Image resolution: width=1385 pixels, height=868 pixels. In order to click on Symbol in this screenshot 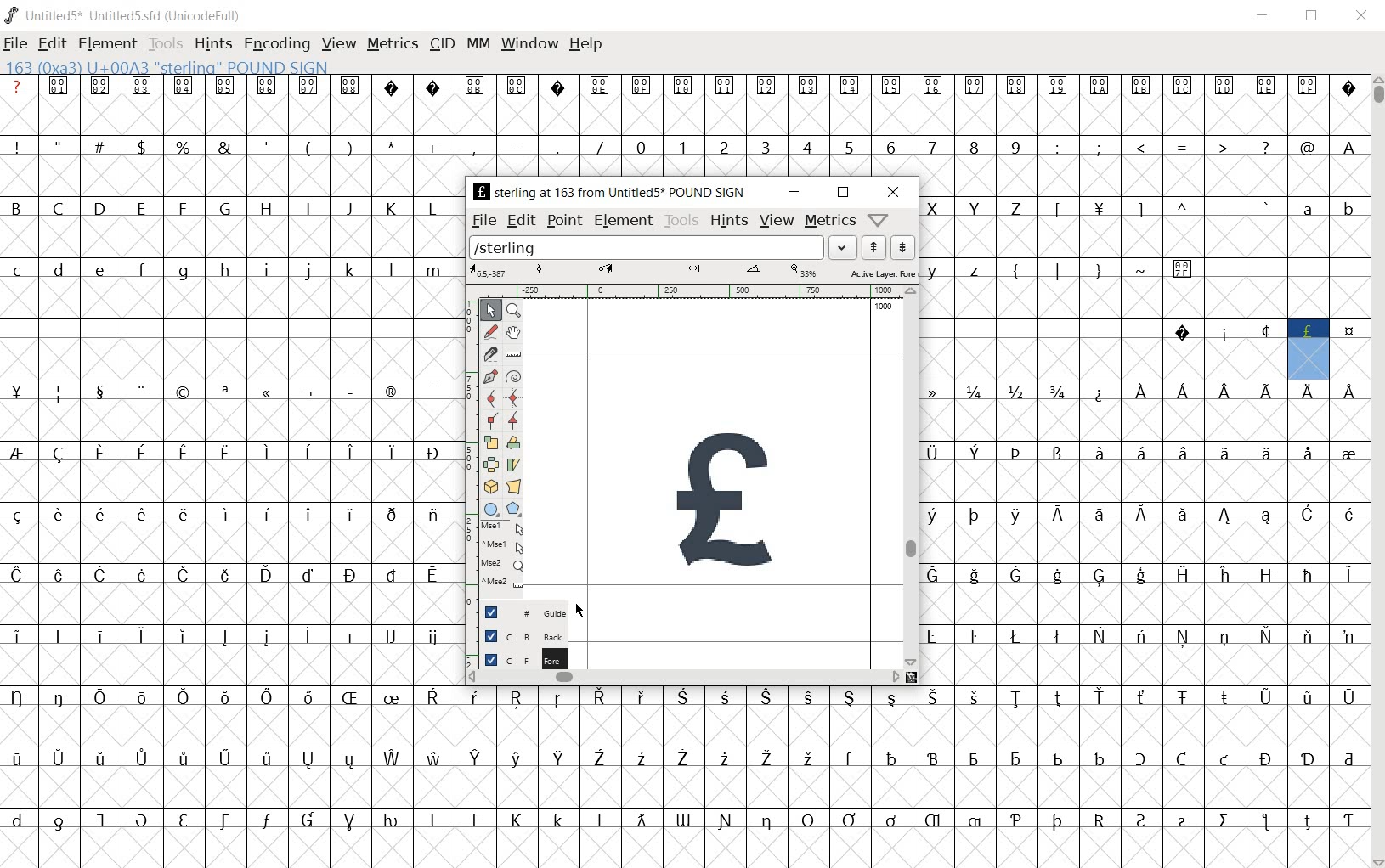, I will do `click(267, 394)`.